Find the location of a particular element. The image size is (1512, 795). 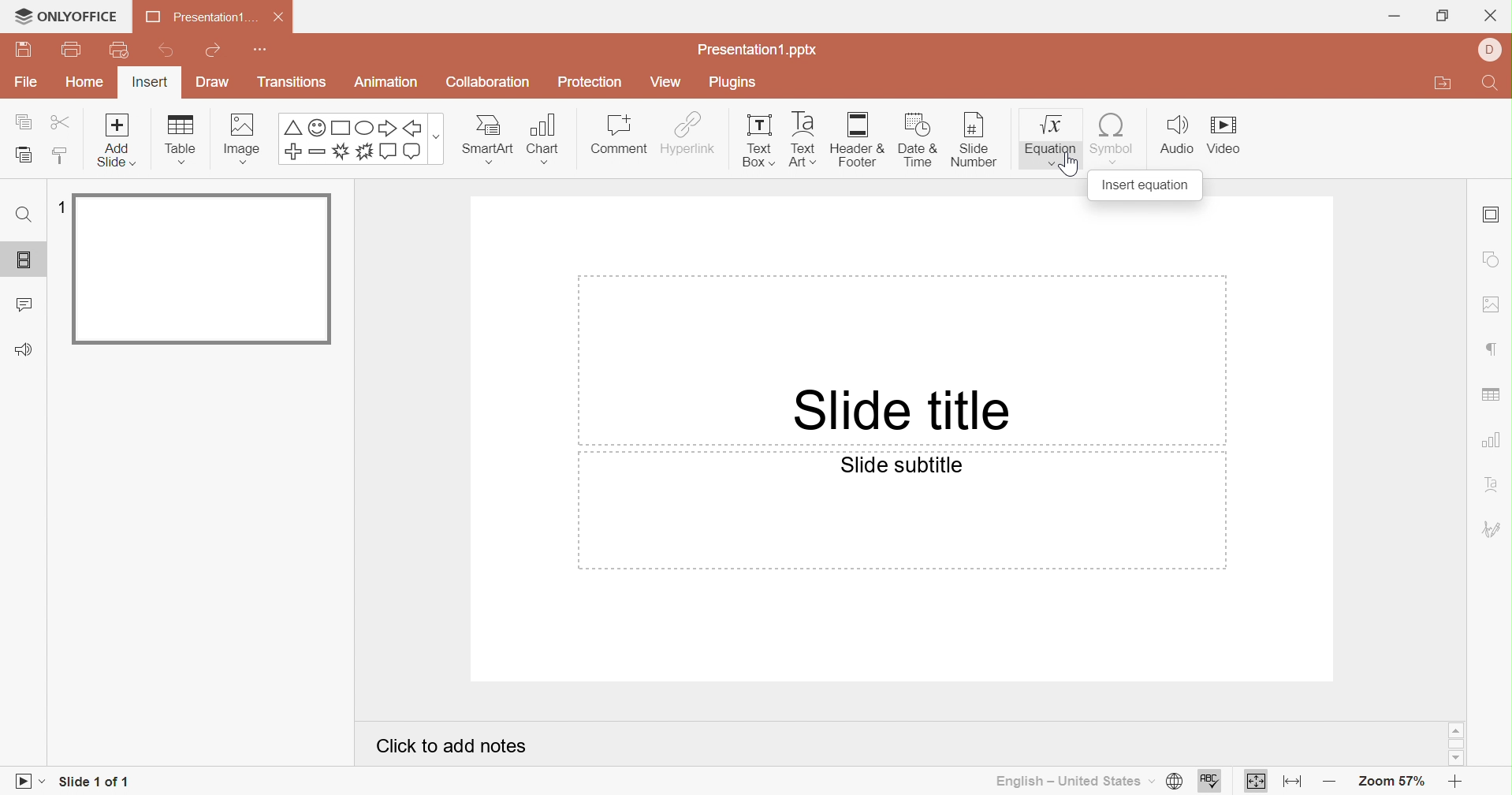

Cut is located at coordinates (69, 124).